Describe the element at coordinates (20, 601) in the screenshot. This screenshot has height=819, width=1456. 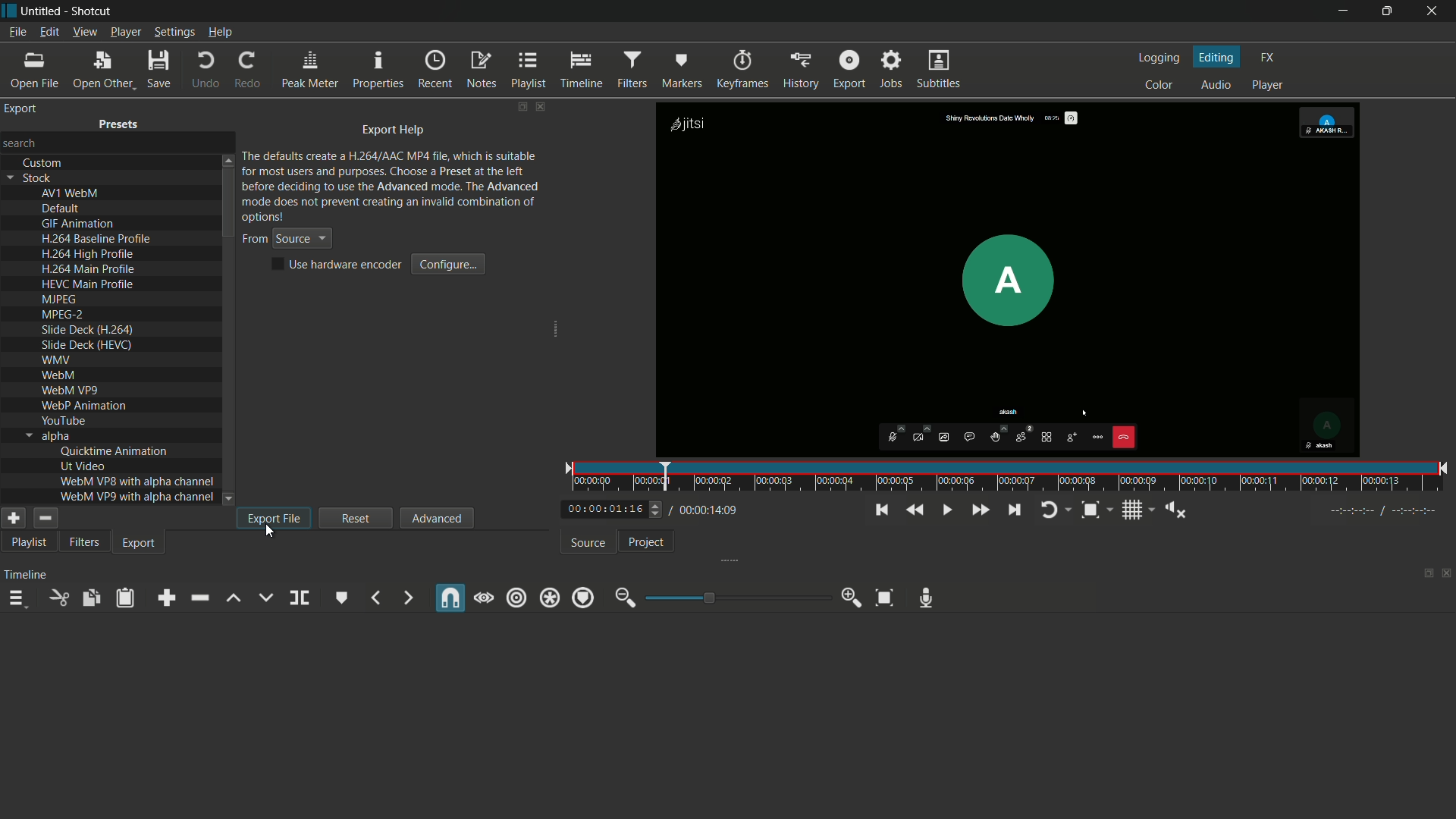
I see `timeline menu` at that location.